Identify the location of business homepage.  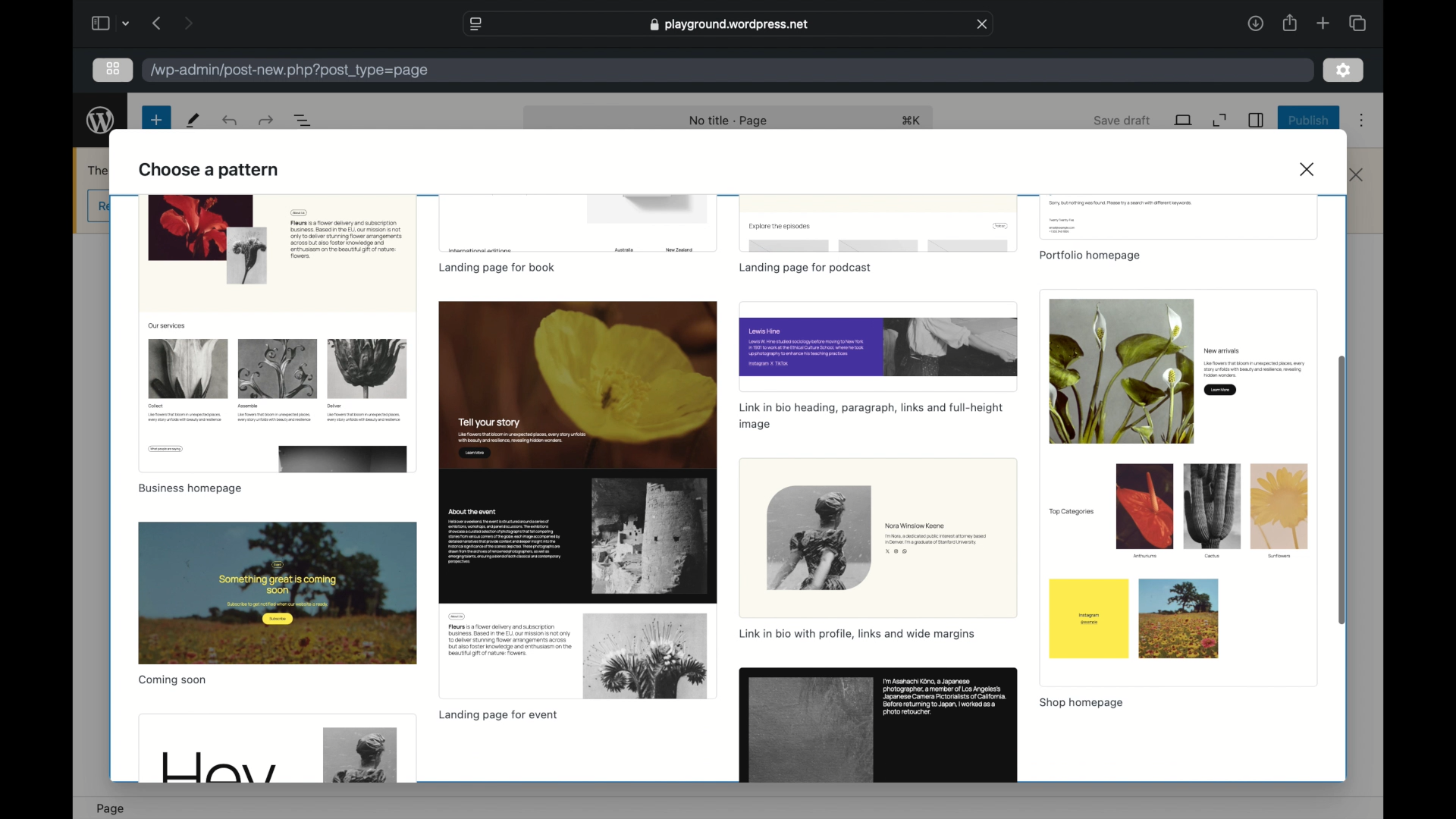
(190, 488).